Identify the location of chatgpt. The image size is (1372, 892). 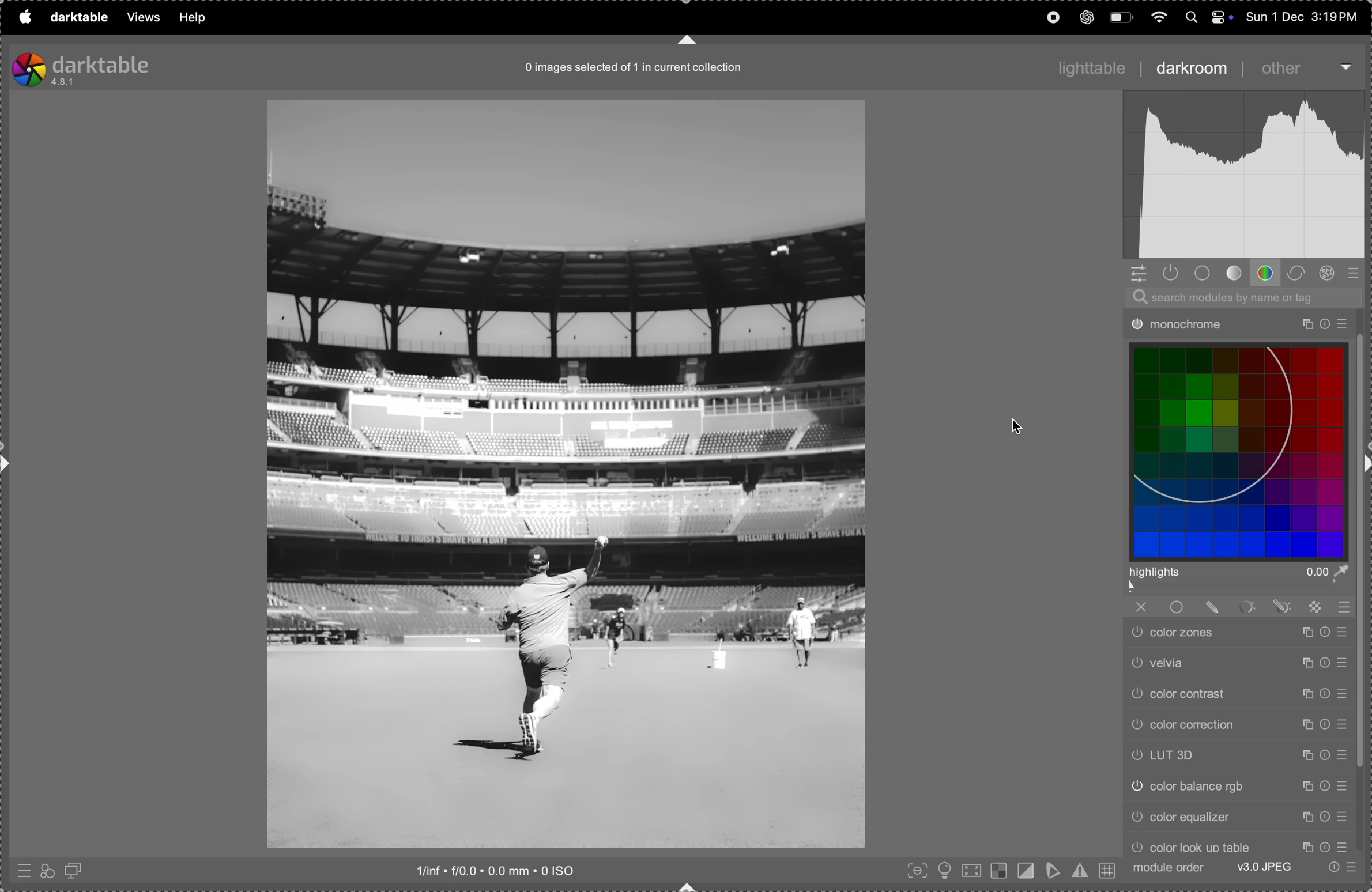
(1088, 17).